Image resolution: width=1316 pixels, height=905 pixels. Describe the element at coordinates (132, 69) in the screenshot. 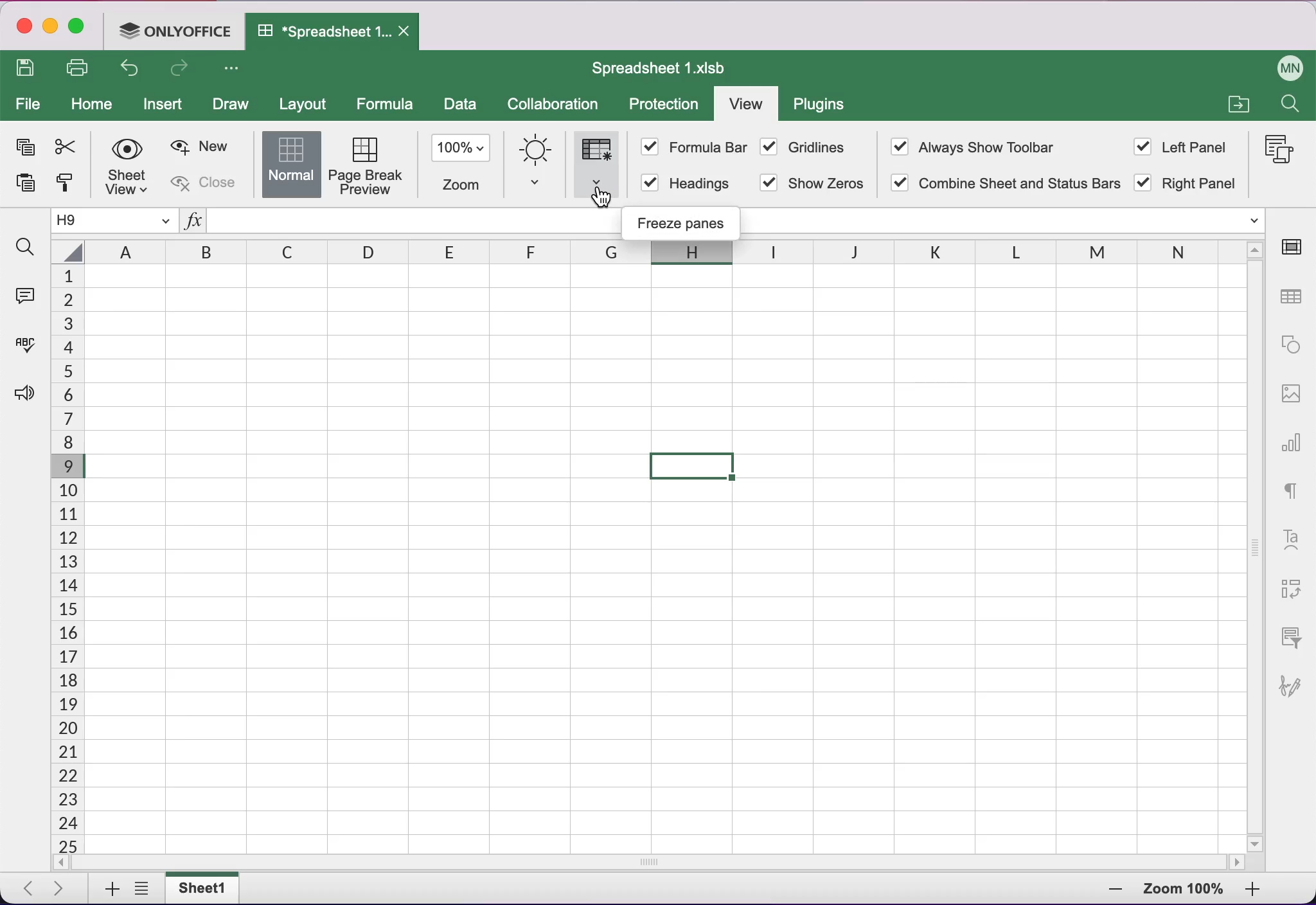

I see `undo` at that location.